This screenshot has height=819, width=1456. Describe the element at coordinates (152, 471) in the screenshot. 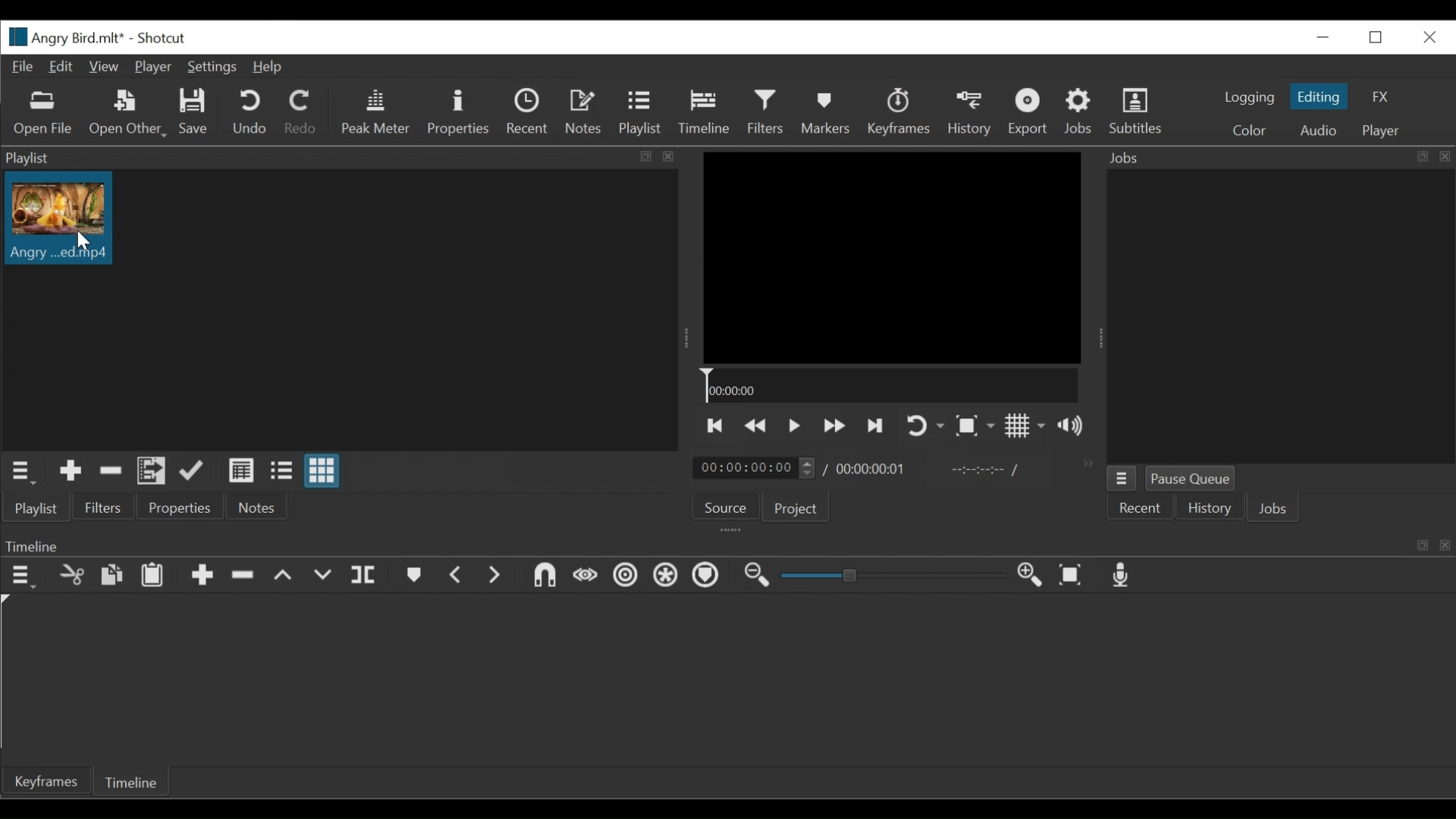

I see `Add the playlist to` at that location.